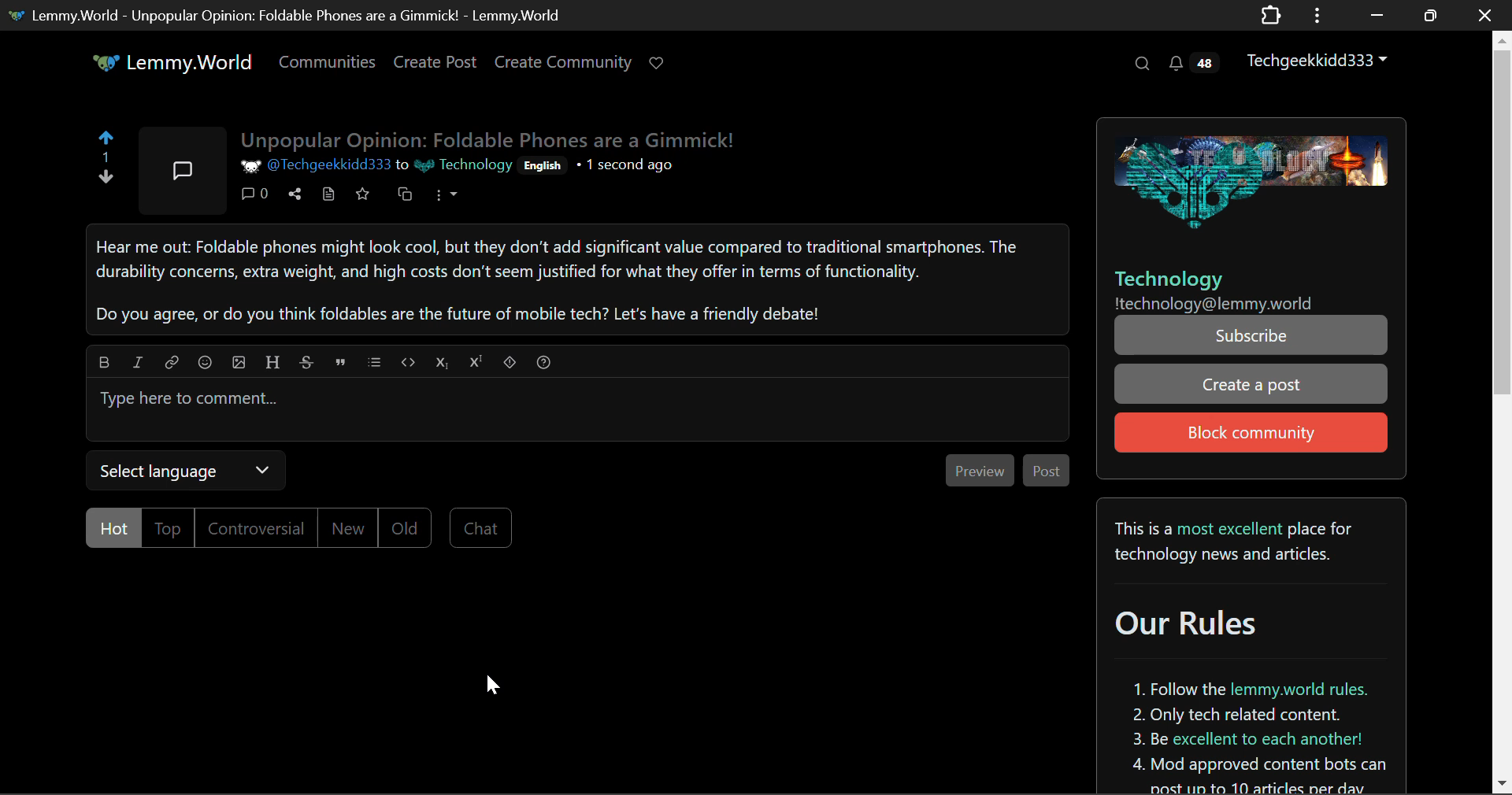 The width and height of the screenshot is (1512, 795). I want to click on spoiler, so click(510, 362).